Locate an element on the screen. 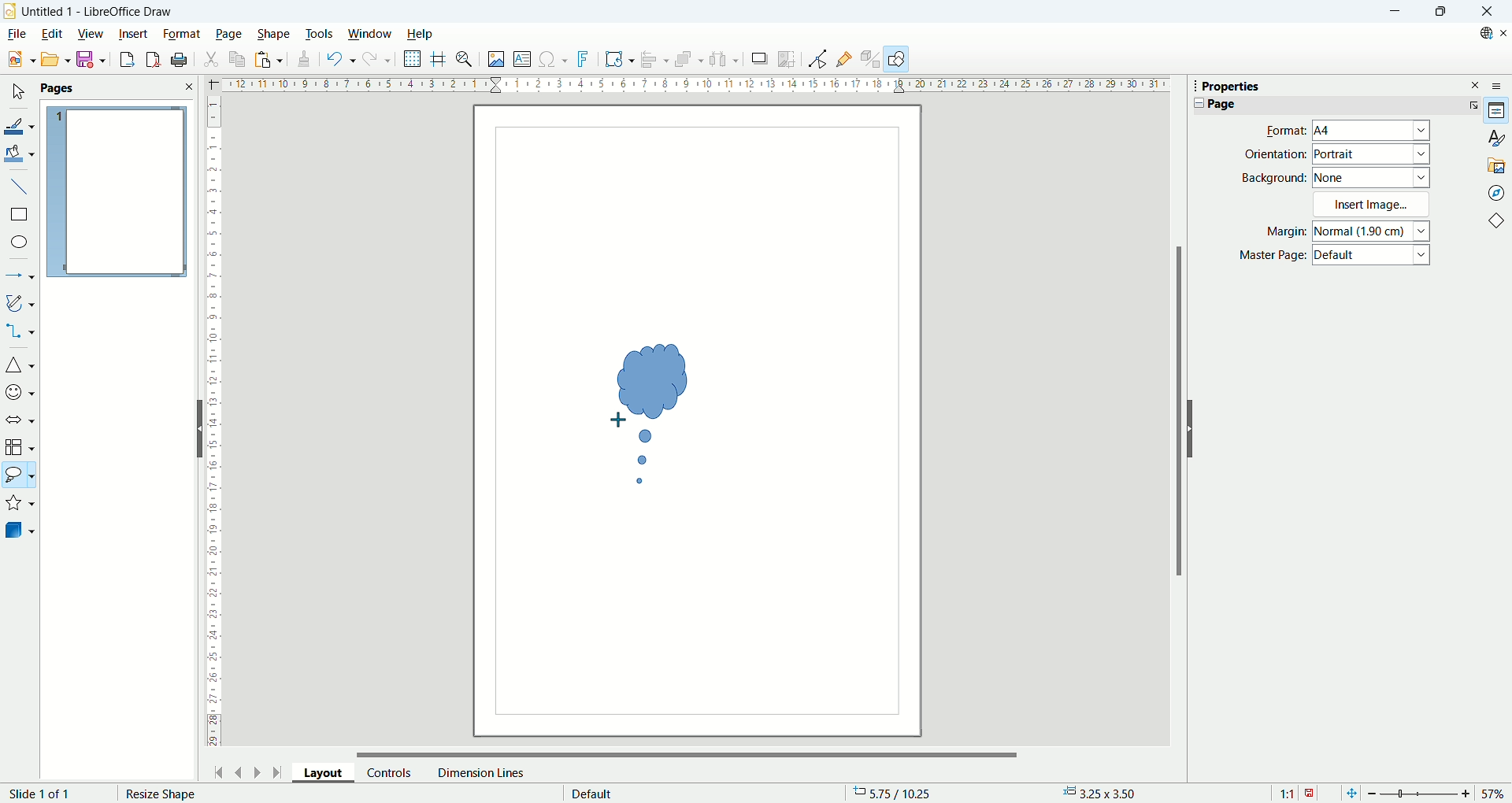 This screenshot has width=1512, height=803. Search on web is located at coordinates (1480, 33).